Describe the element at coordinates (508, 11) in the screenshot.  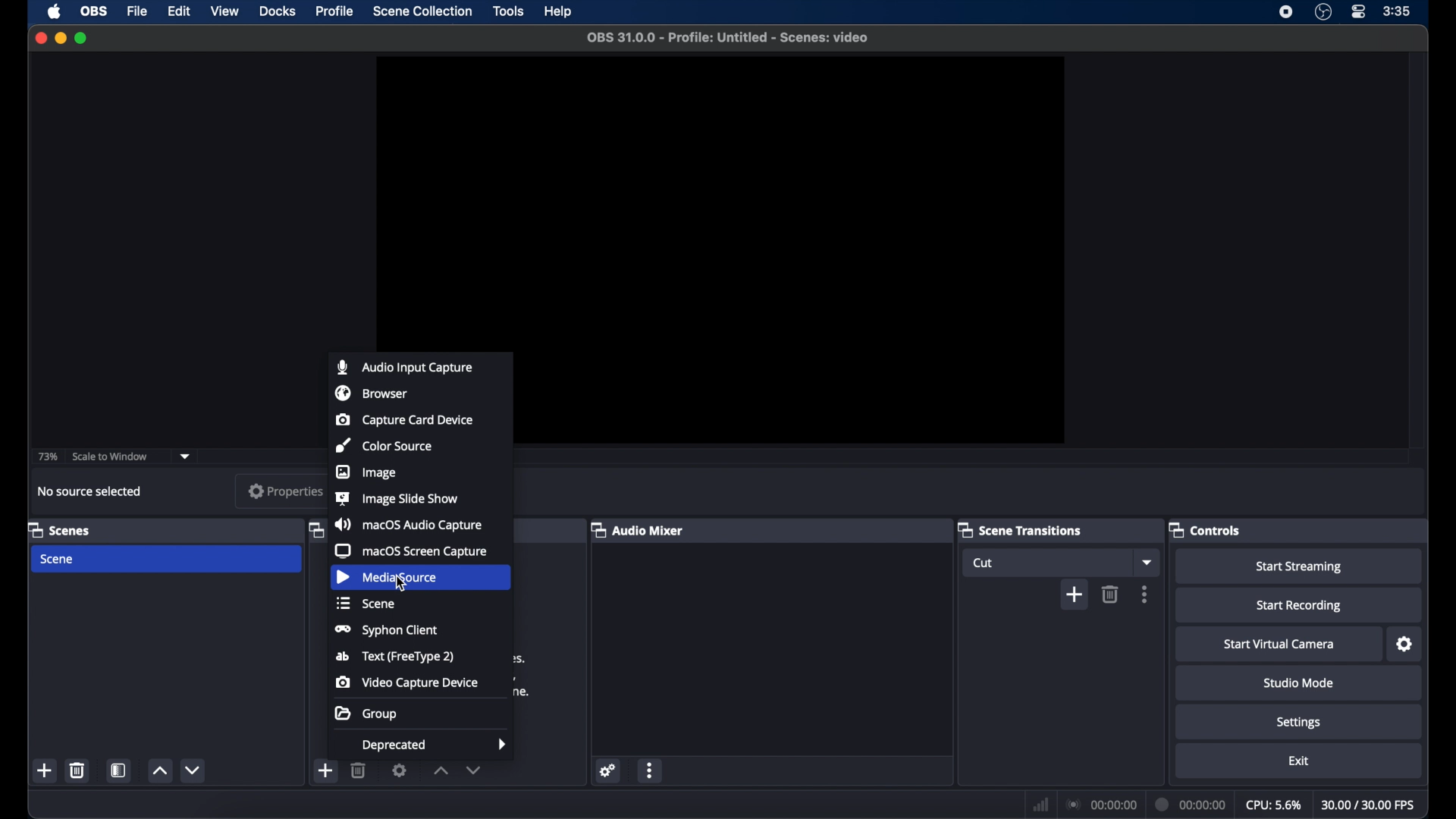
I see `tools` at that location.